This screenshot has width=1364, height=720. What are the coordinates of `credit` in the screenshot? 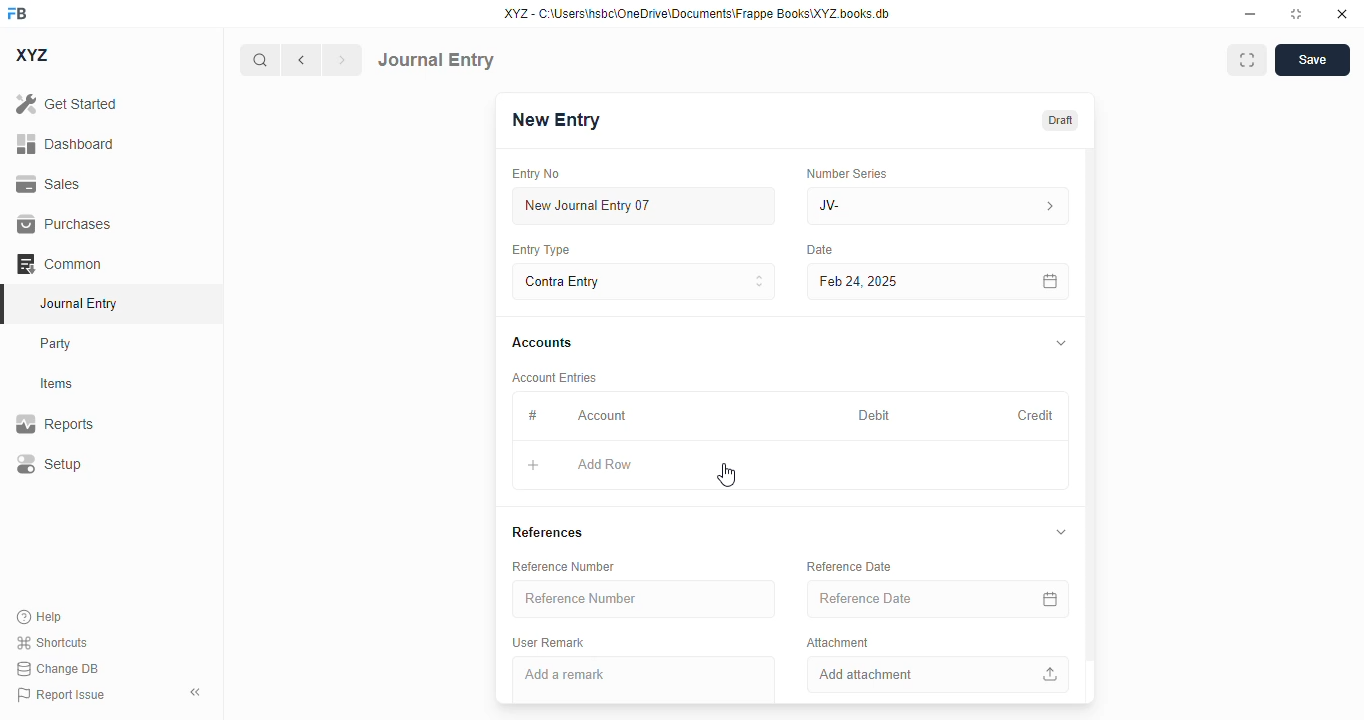 It's located at (1037, 415).